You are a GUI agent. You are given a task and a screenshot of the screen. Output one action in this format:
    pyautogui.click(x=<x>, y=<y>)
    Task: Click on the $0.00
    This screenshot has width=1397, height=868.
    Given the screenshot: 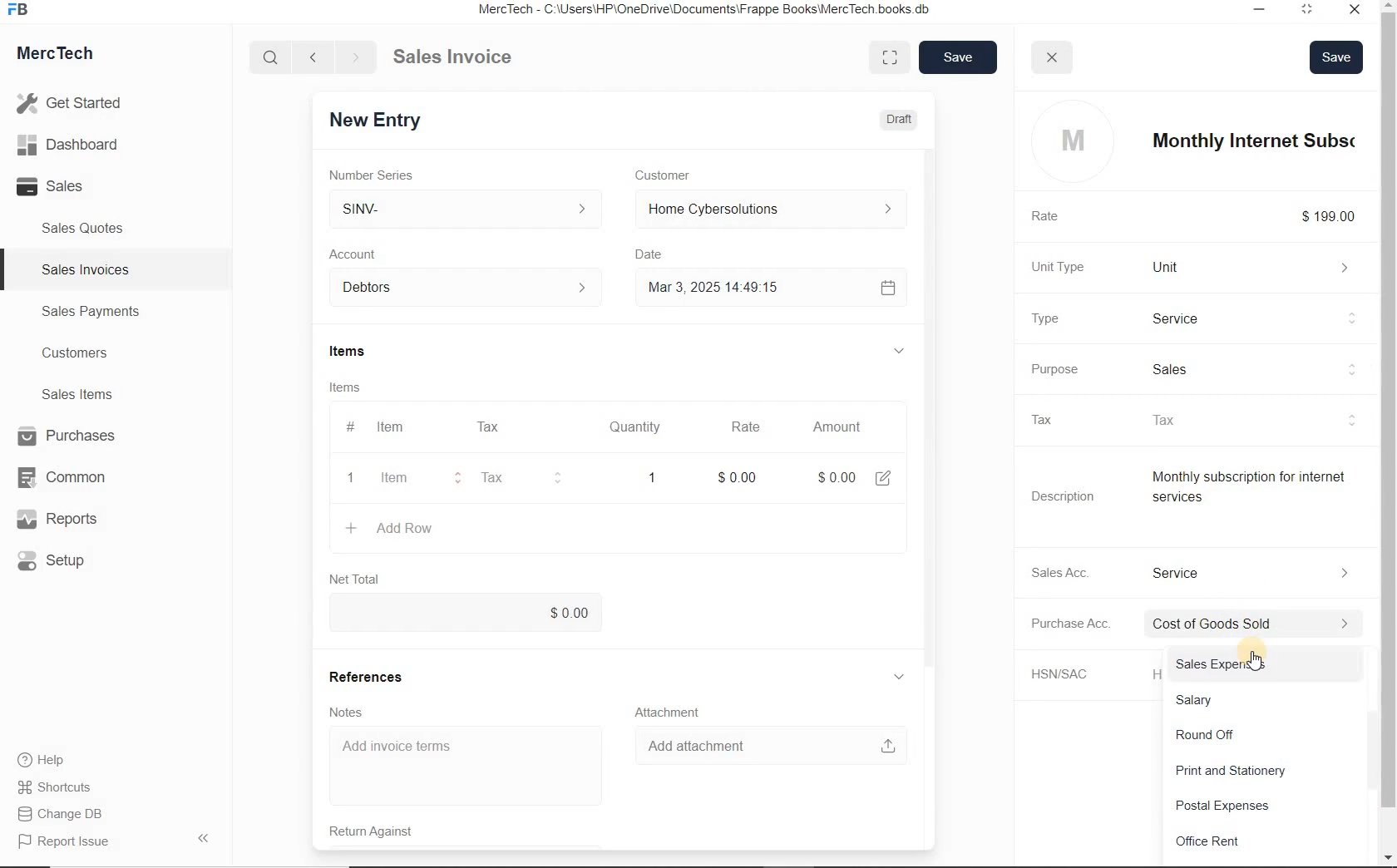 What is the action you would take?
    pyautogui.click(x=475, y=613)
    